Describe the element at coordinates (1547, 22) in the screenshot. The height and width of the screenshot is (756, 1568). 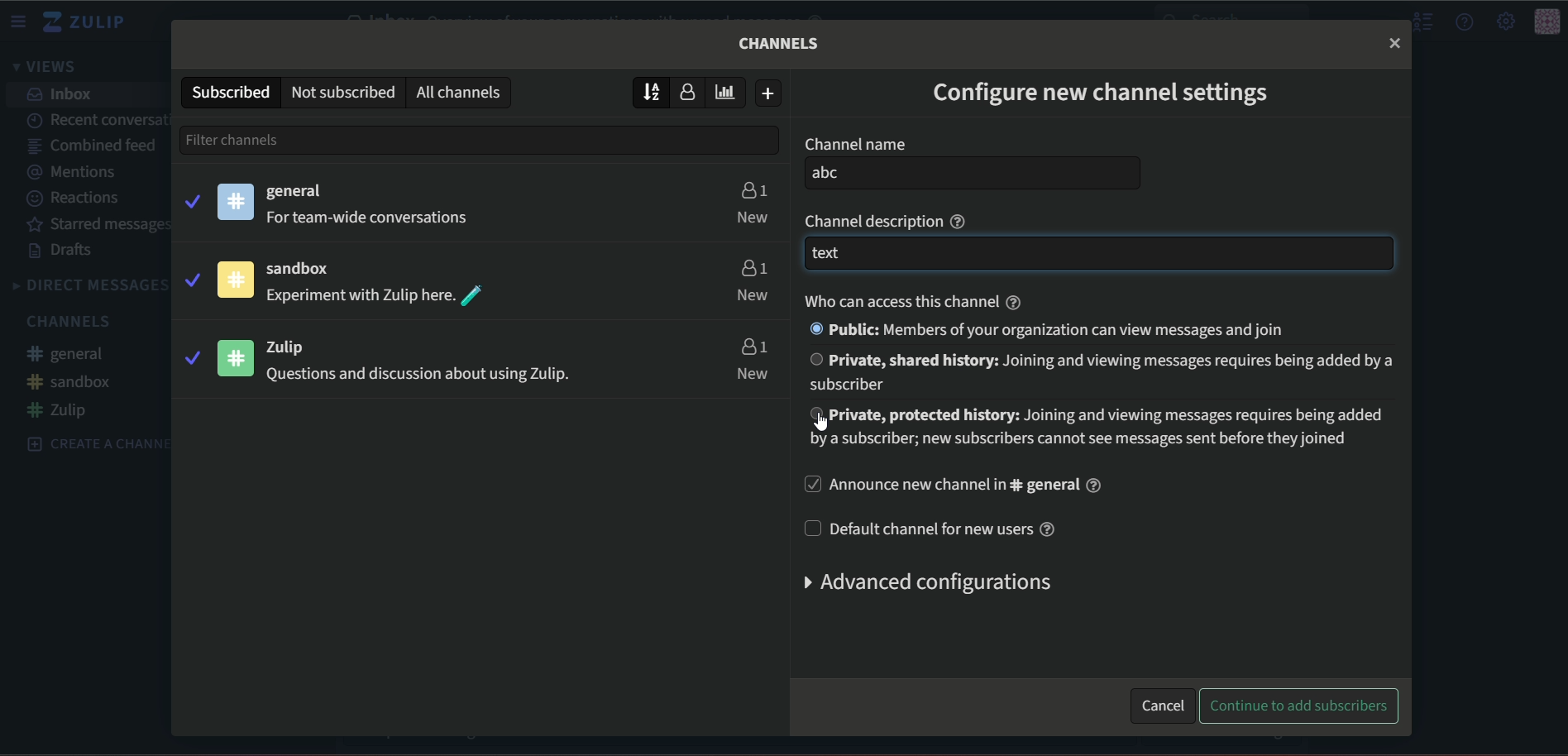
I see `icon` at that location.